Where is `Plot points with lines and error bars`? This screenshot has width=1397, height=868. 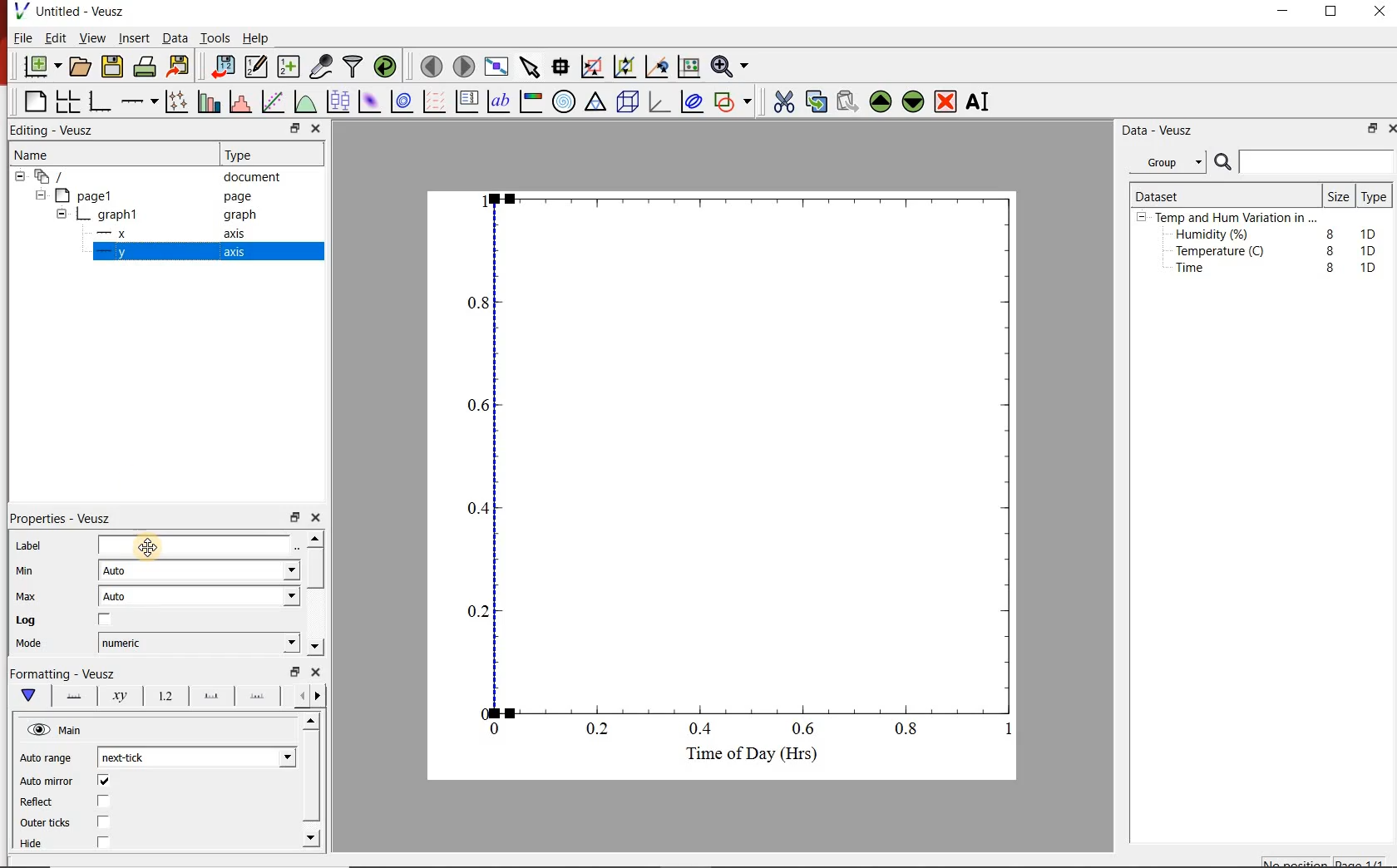
Plot points with lines and error bars is located at coordinates (176, 100).